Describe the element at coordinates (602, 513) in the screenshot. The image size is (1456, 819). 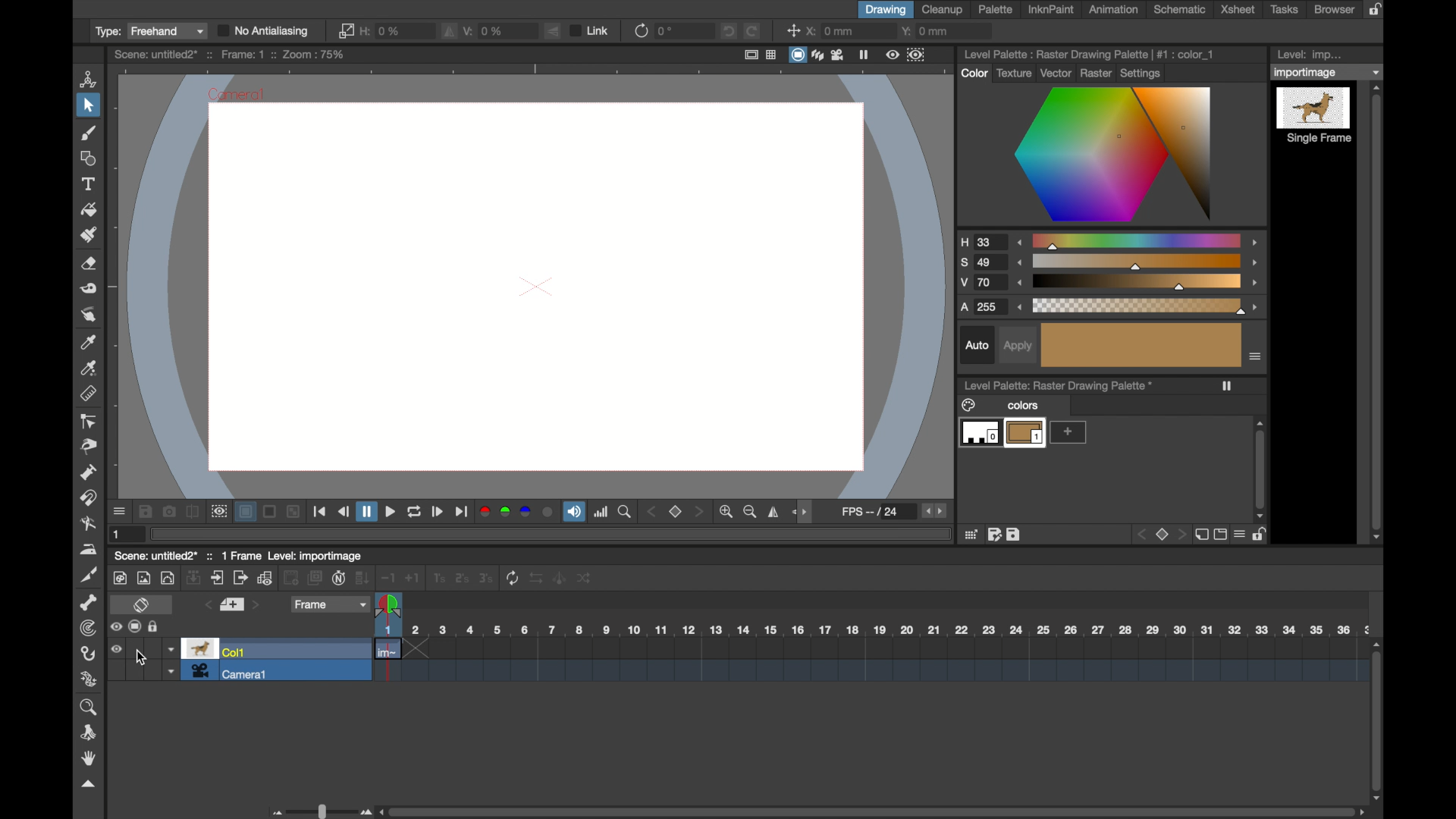
I see `histogram` at that location.